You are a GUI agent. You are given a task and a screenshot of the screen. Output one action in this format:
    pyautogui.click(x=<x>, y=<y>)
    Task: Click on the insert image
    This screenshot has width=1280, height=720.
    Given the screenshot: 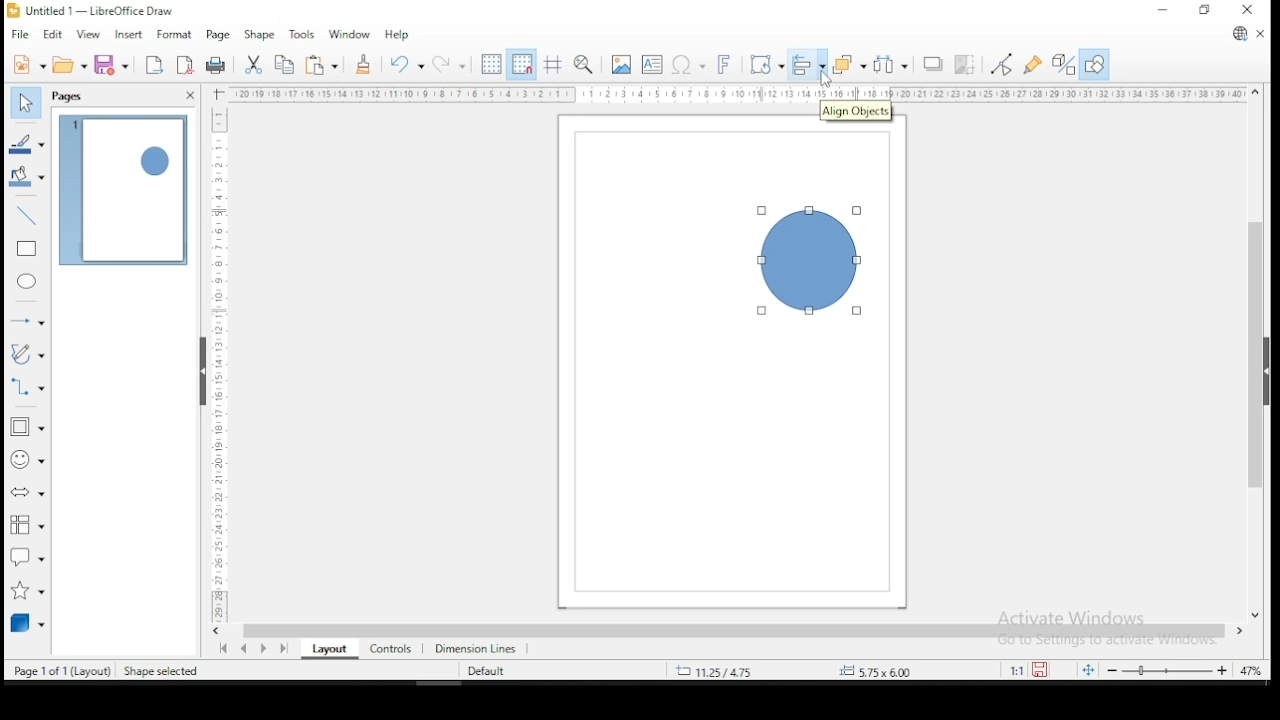 What is the action you would take?
    pyautogui.click(x=620, y=65)
    